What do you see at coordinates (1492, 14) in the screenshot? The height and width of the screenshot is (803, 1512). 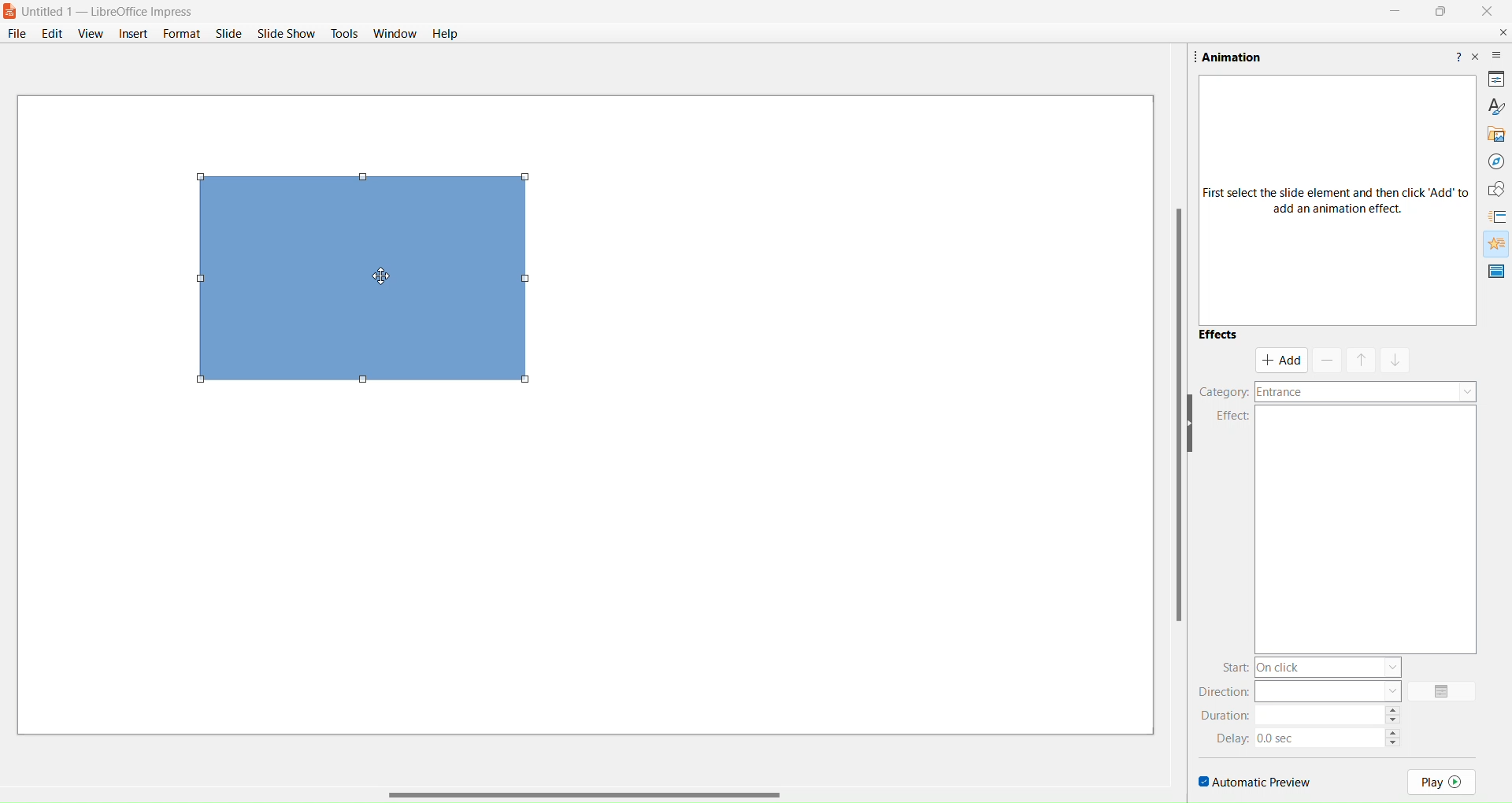 I see `Close` at bounding box center [1492, 14].